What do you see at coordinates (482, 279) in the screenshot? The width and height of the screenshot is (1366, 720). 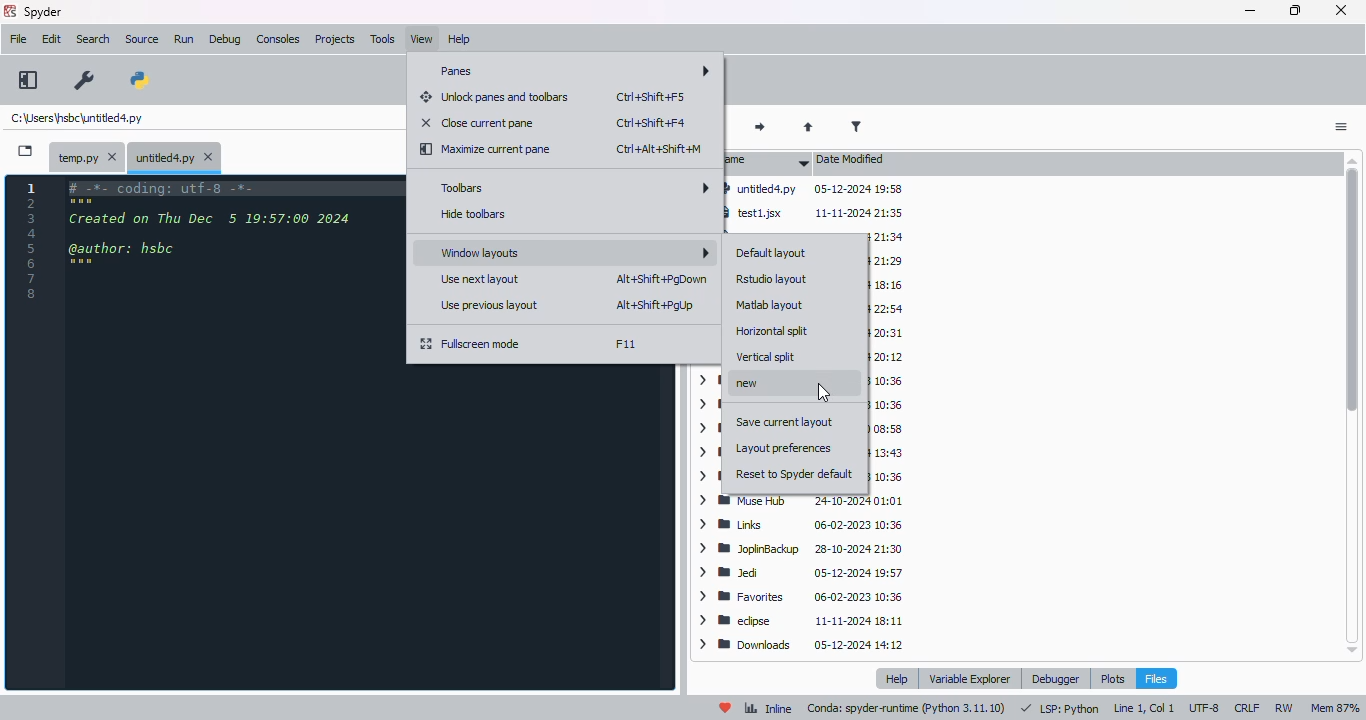 I see `use next layout` at bounding box center [482, 279].